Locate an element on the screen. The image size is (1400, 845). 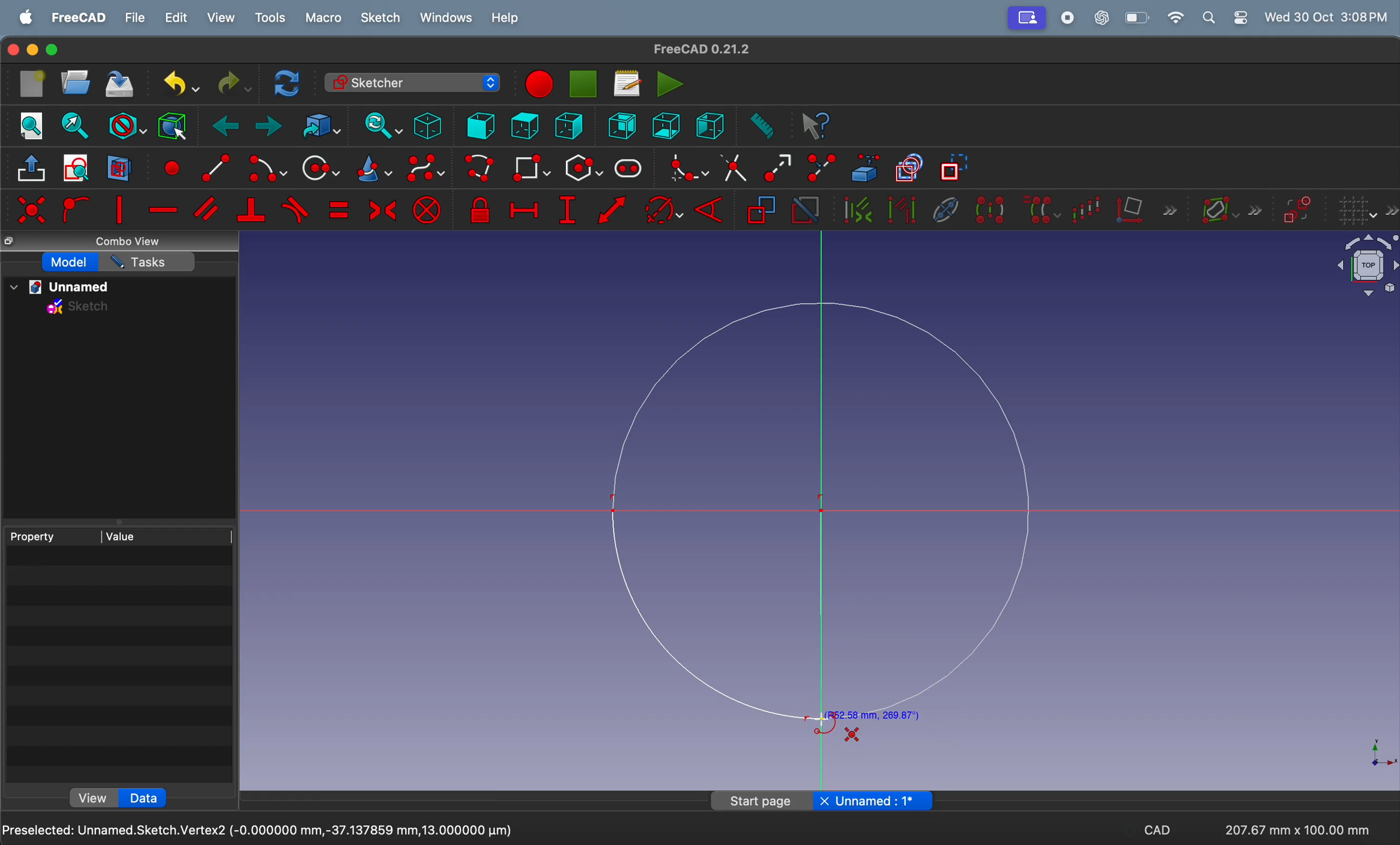
profile is located at coordinates (1028, 18).